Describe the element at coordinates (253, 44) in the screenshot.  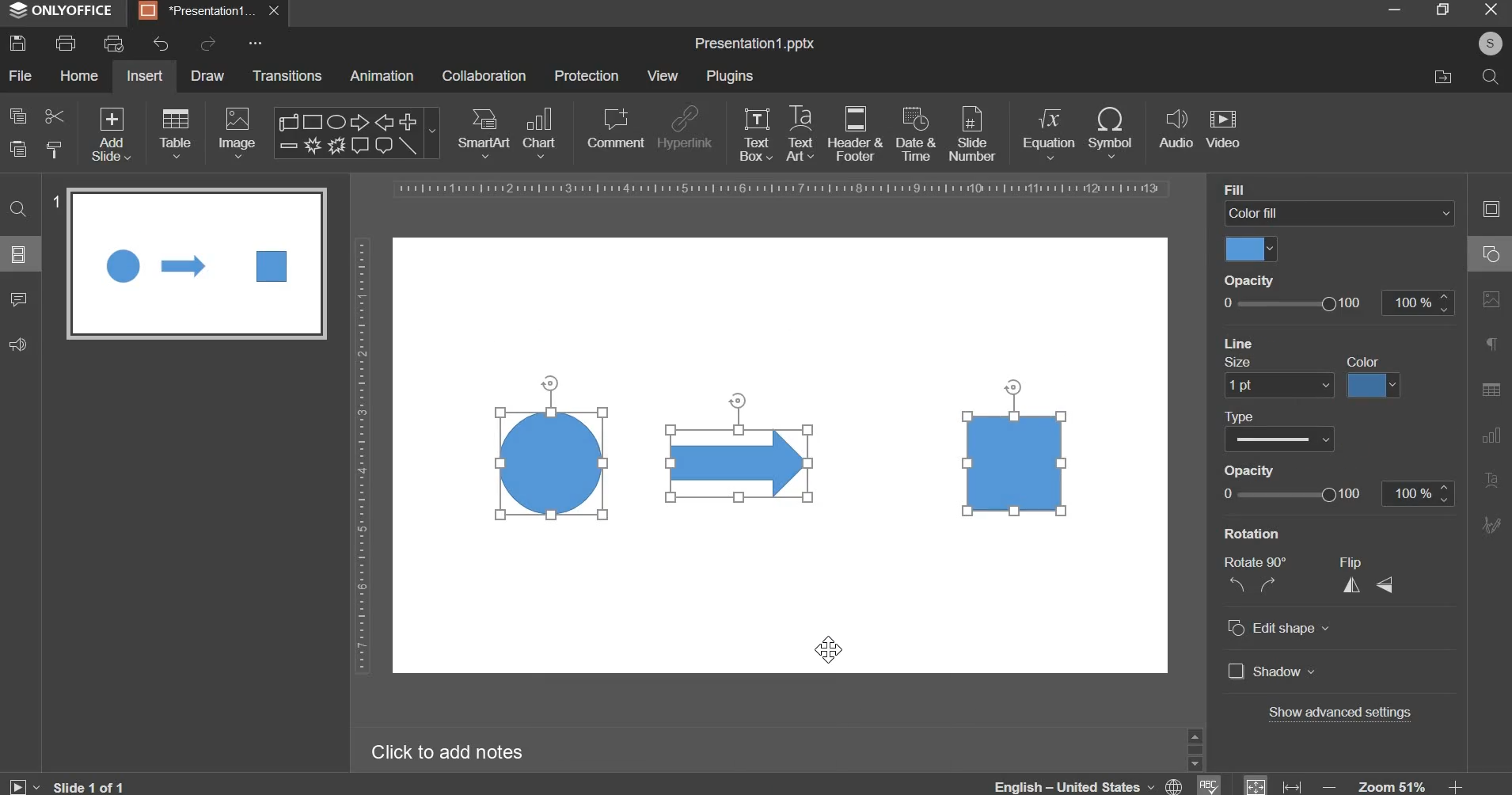
I see `options` at that location.